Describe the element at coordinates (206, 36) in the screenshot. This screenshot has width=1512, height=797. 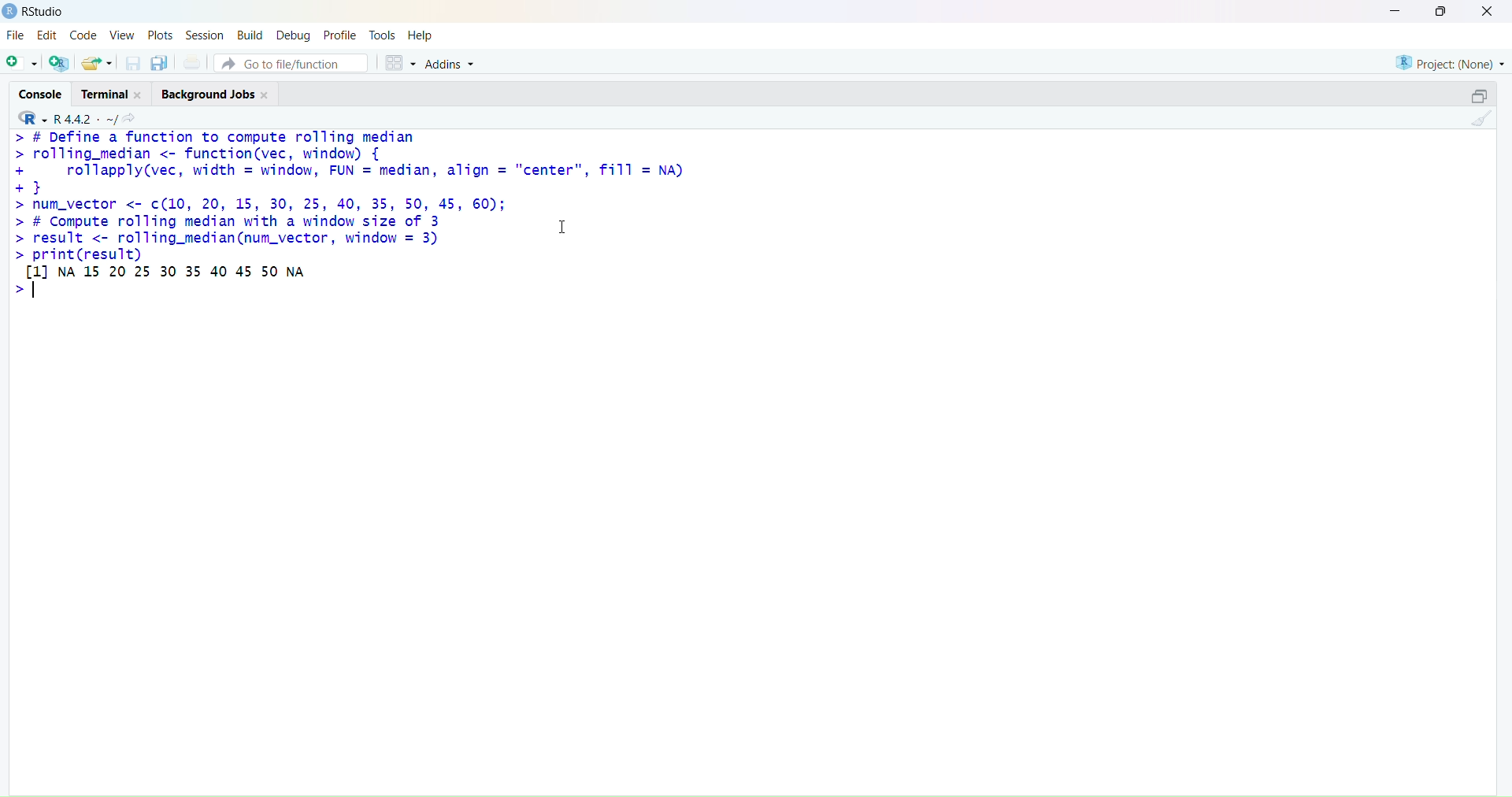
I see `session` at that location.